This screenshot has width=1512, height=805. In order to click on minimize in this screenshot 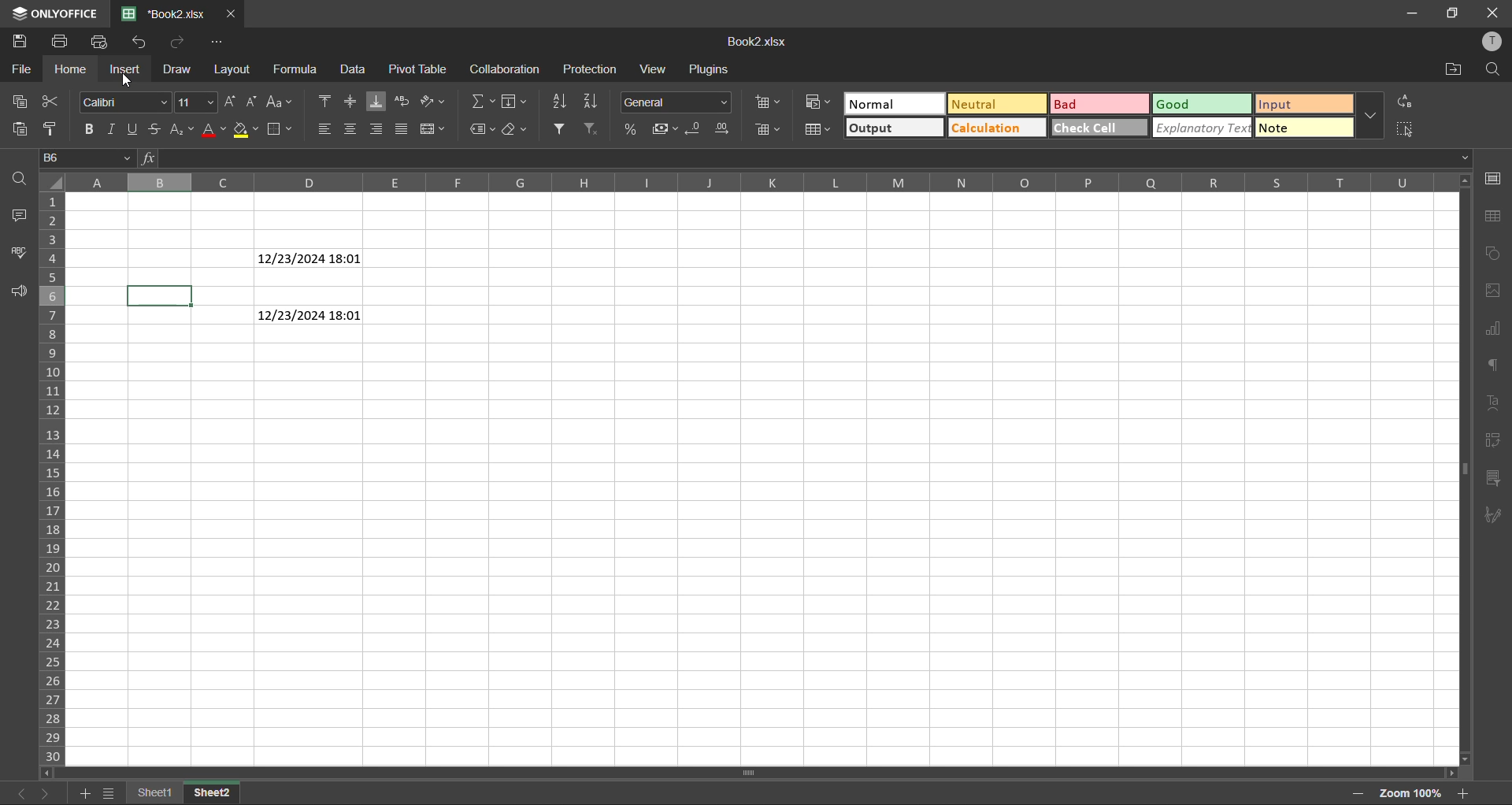, I will do `click(1408, 14)`.